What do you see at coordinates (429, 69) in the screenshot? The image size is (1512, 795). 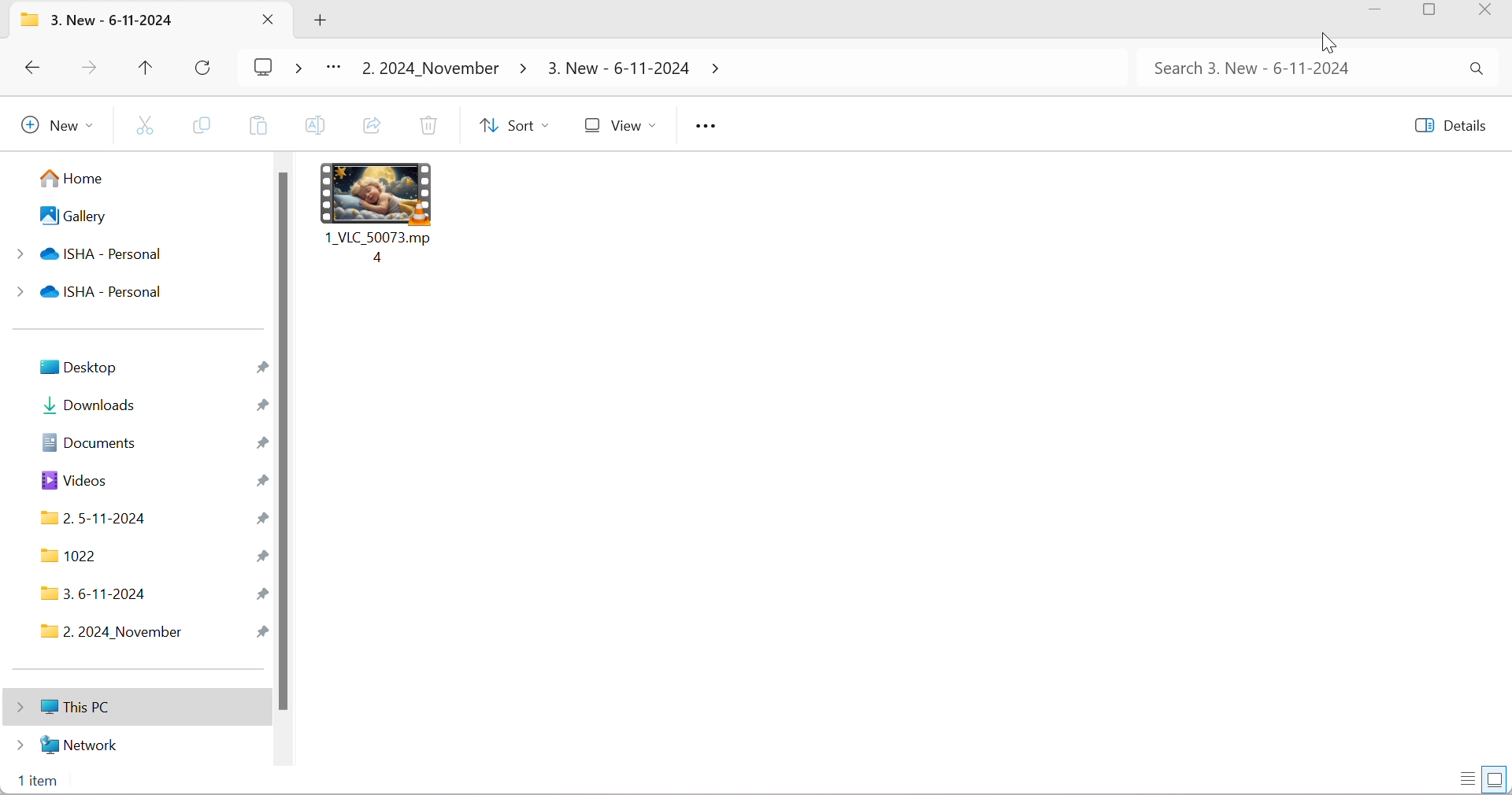 I see `2. 2024_Noember` at bounding box center [429, 69].